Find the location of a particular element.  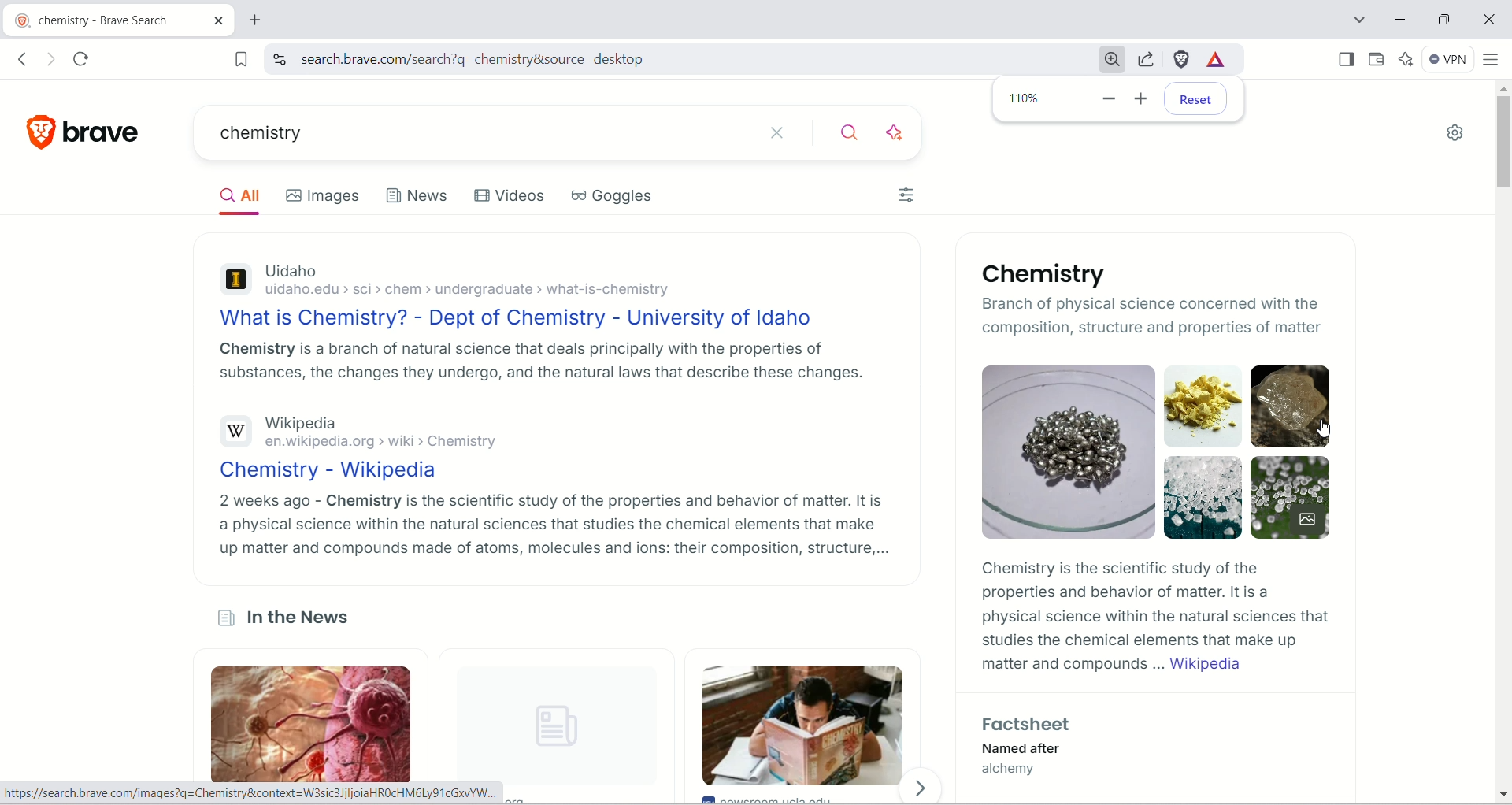

cursor is located at coordinates (1324, 428).